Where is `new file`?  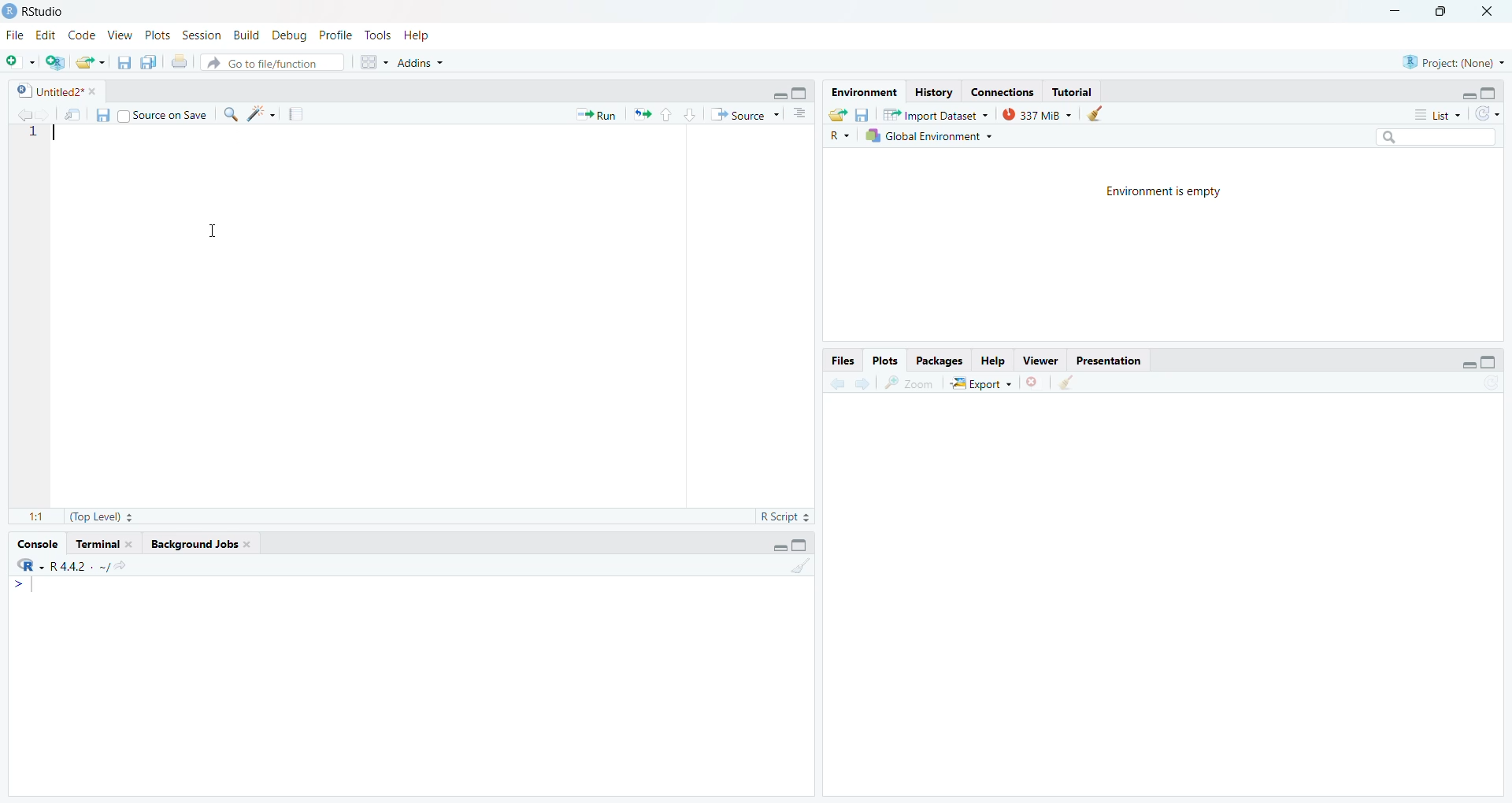
new file is located at coordinates (20, 60).